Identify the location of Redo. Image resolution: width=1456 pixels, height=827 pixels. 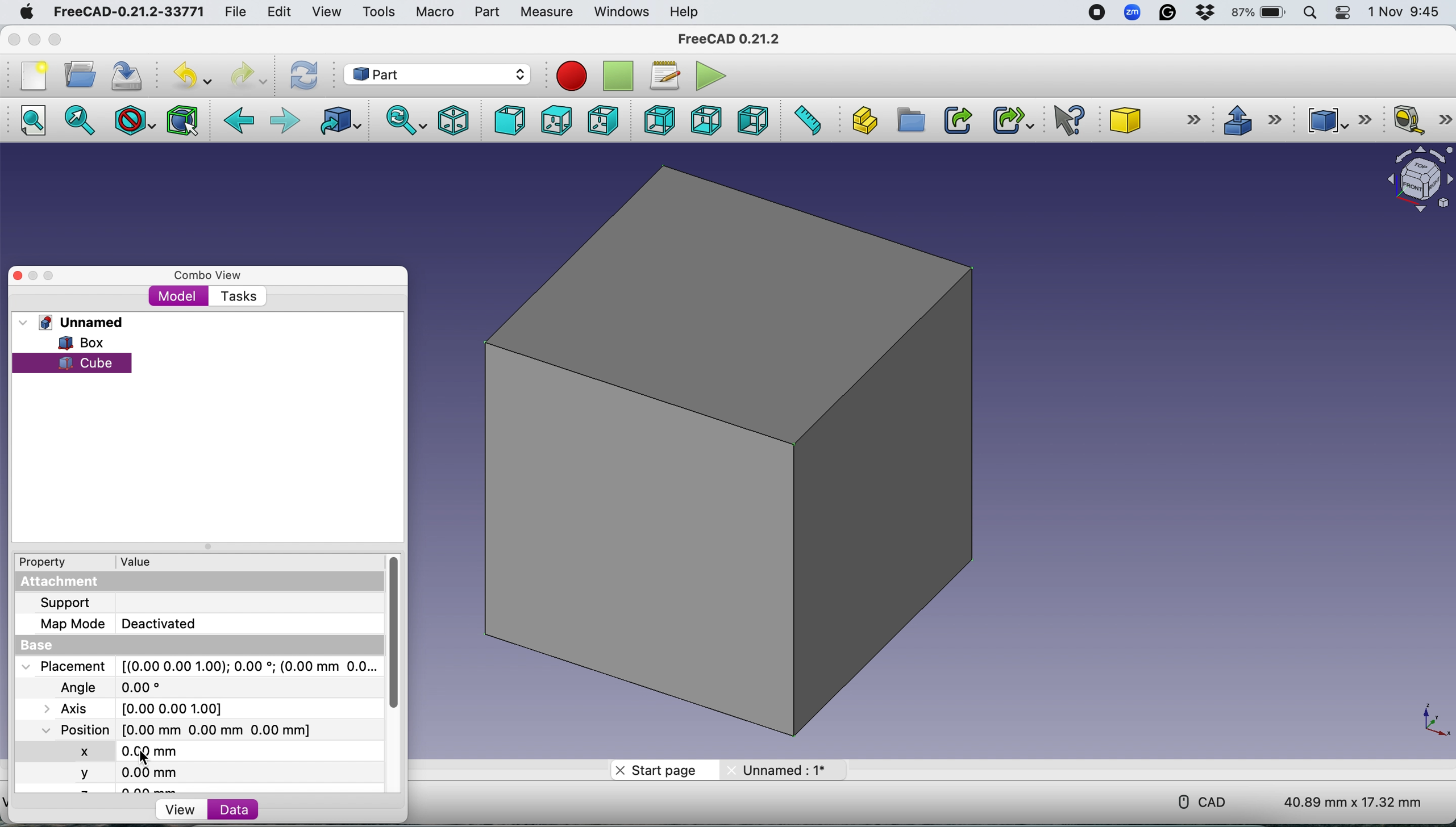
(247, 76).